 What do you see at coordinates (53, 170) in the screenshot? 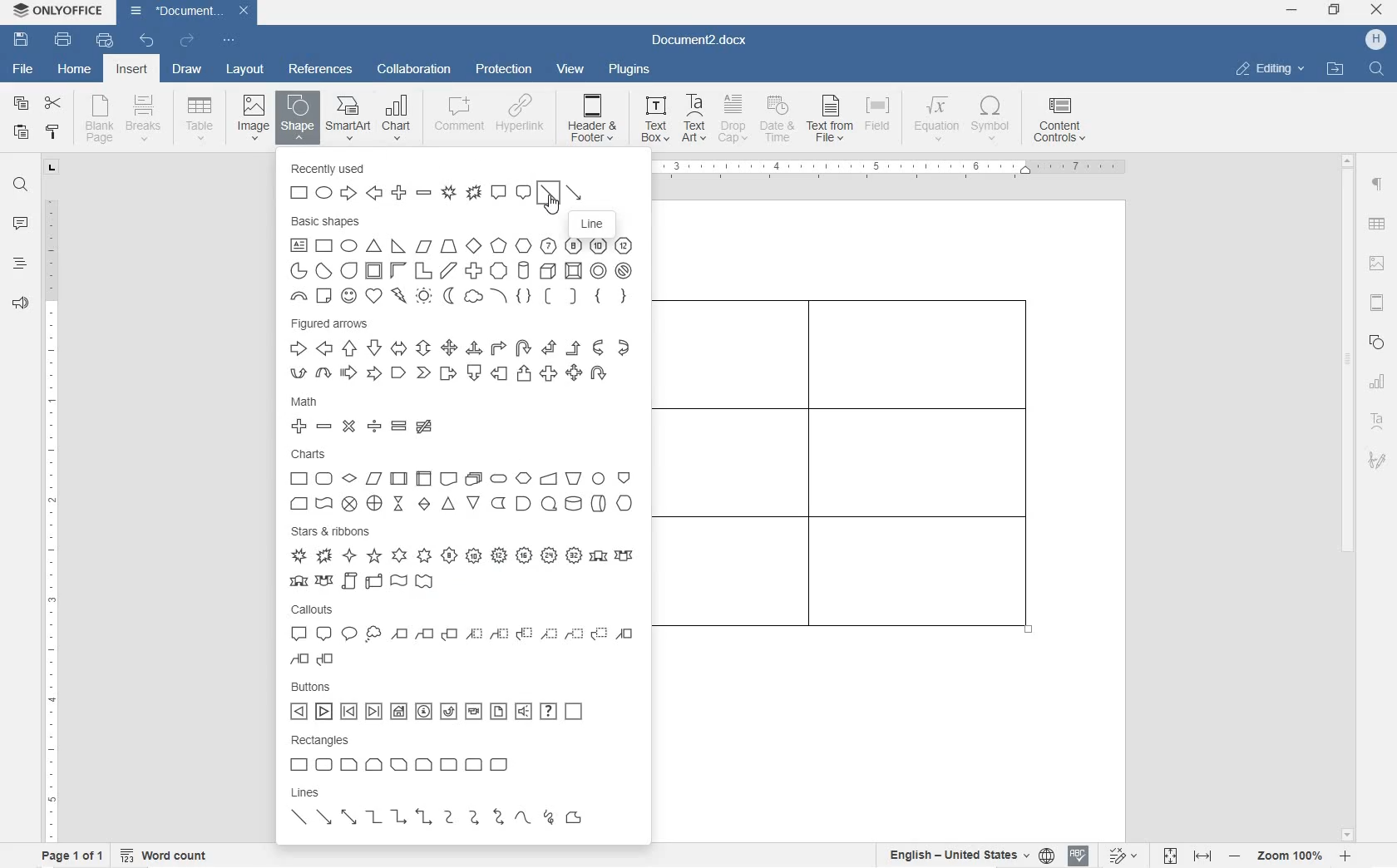
I see `tab` at bounding box center [53, 170].